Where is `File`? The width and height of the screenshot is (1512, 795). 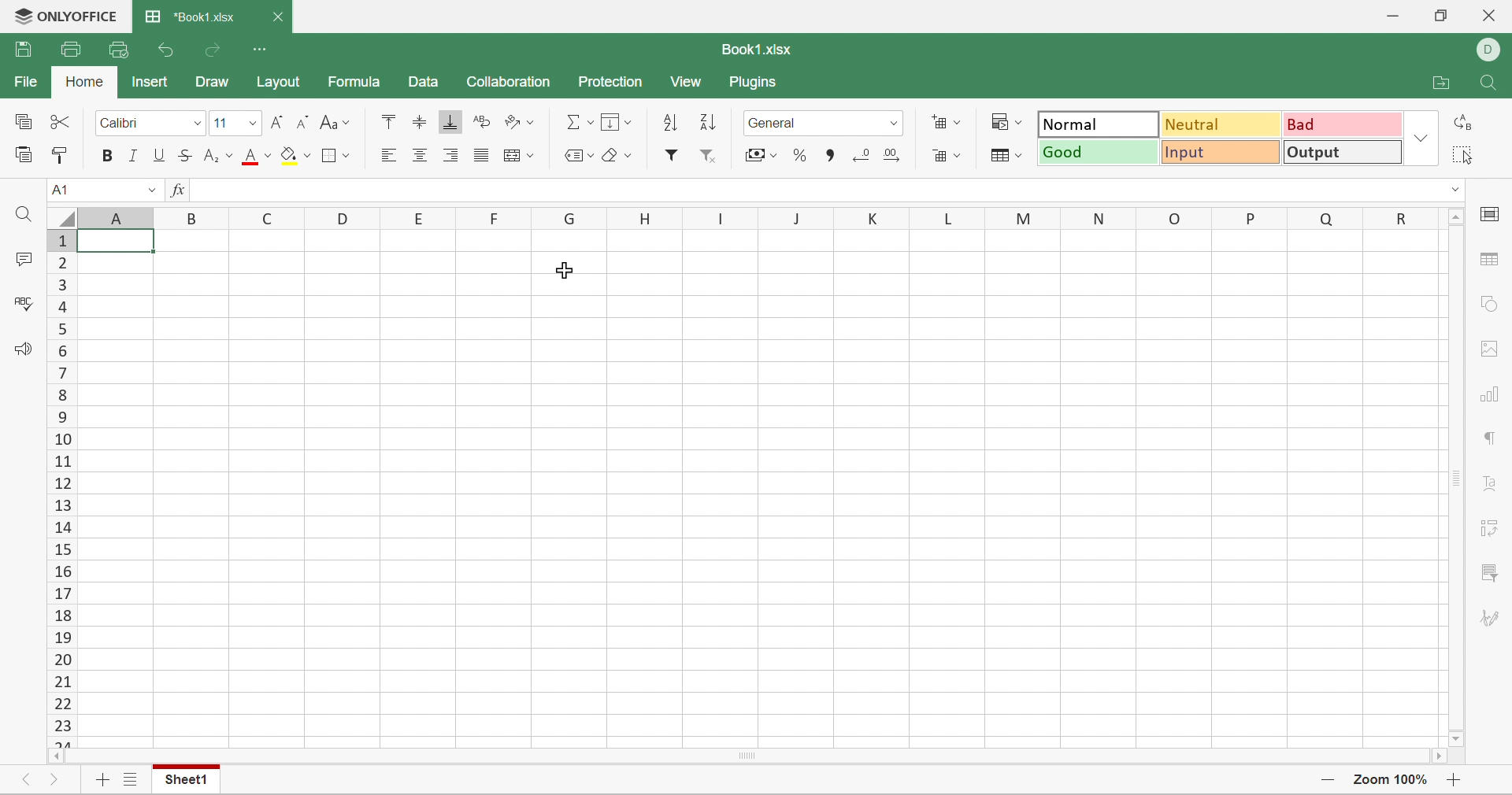 File is located at coordinates (27, 83).